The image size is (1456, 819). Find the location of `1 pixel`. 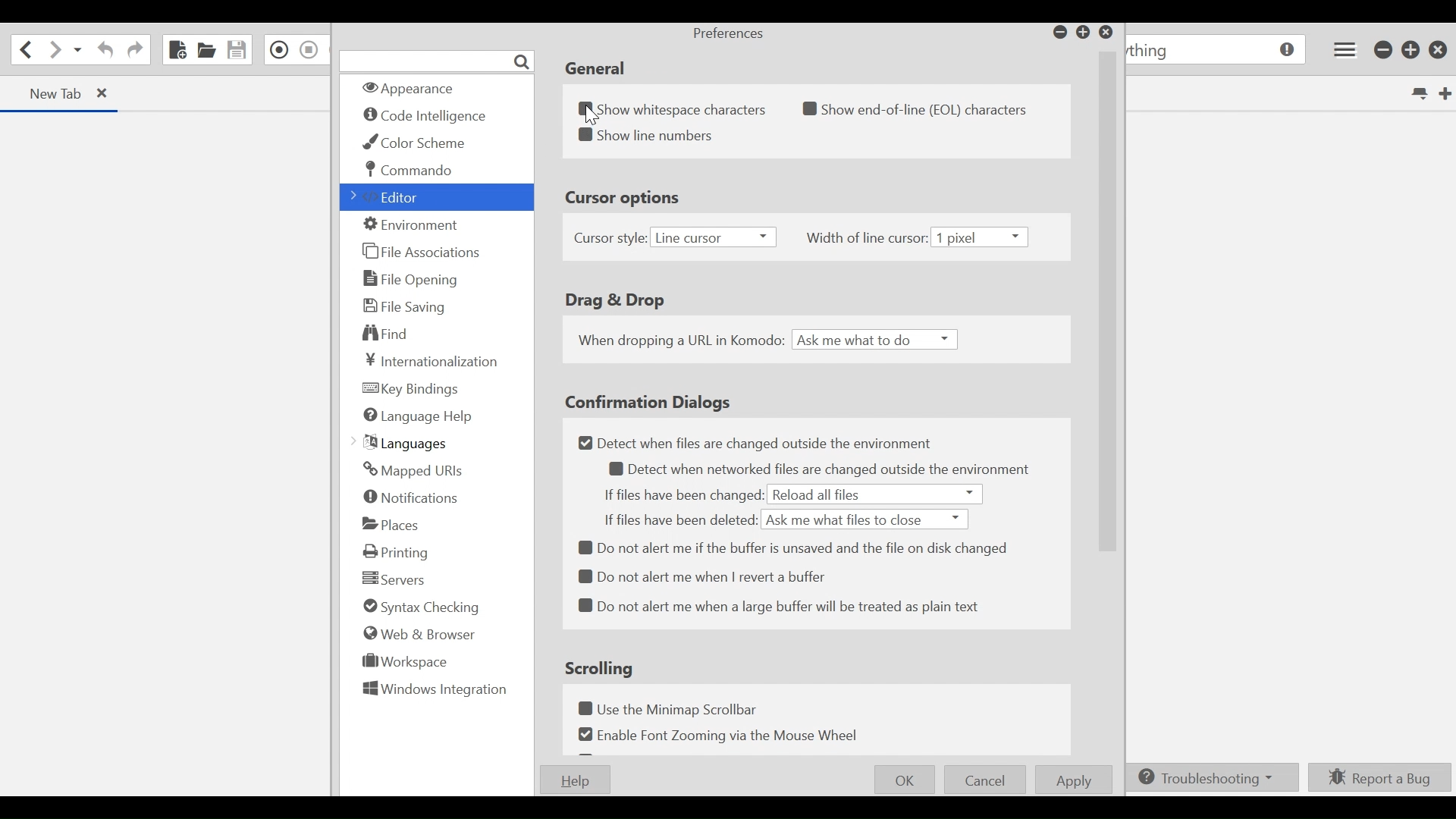

1 pixel is located at coordinates (984, 239).